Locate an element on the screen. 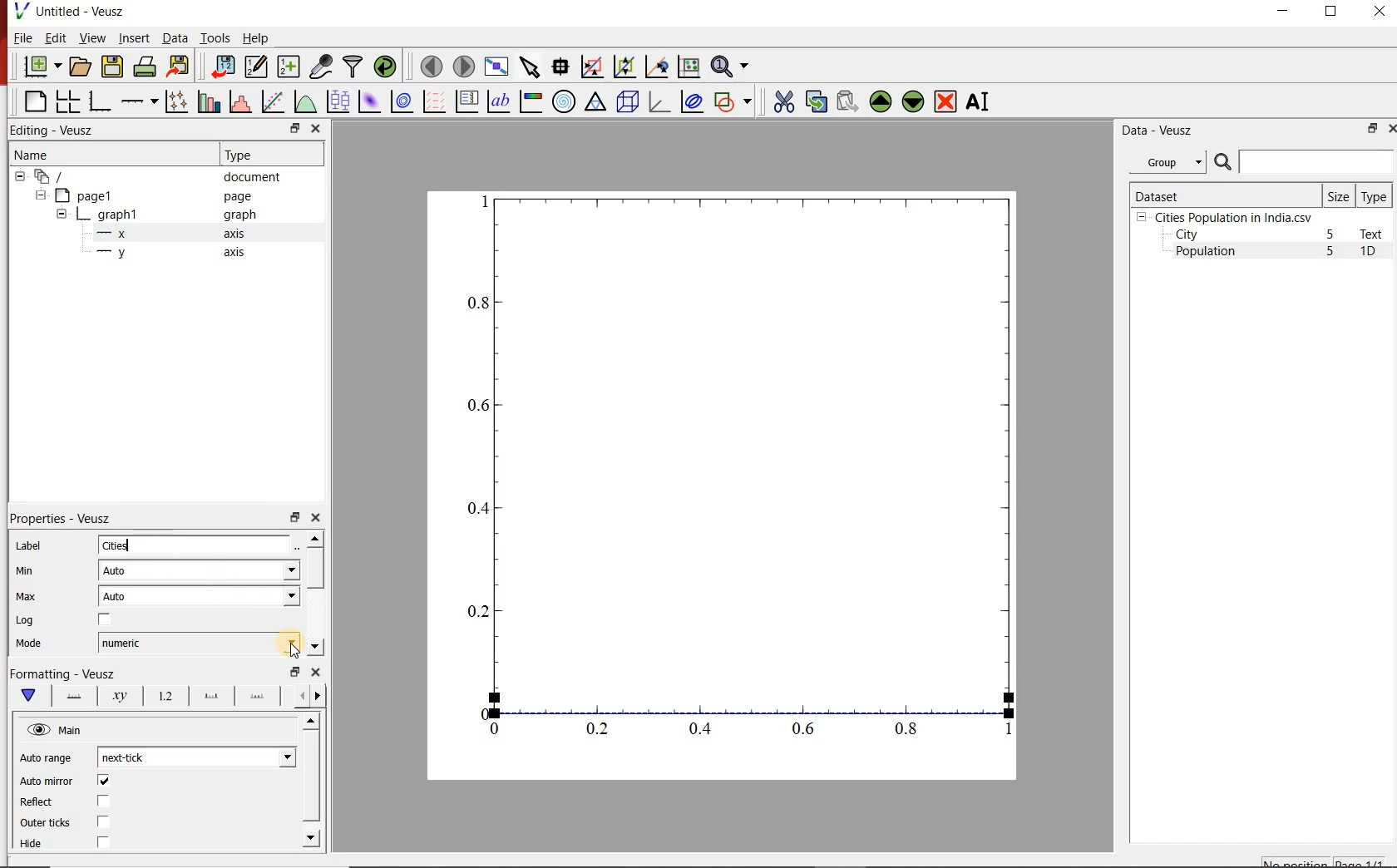 Image resolution: width=1397 pixels, height=868 pixels. plot bar charts is located at coordinates (206, 101).